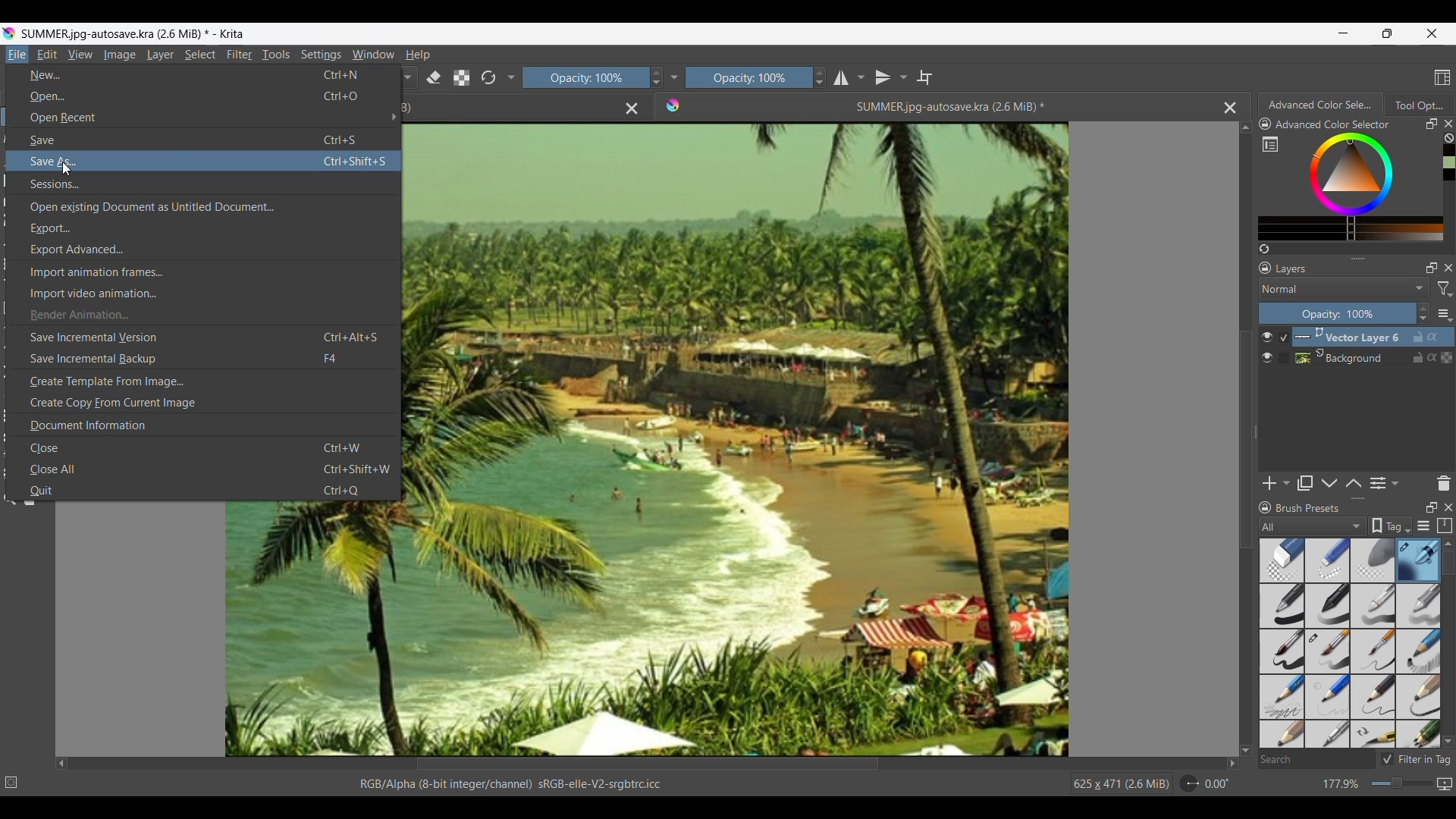 The height and width of the screenshot is (819, 1456). I want to click on Scale to change opacity, so click(582, 78).